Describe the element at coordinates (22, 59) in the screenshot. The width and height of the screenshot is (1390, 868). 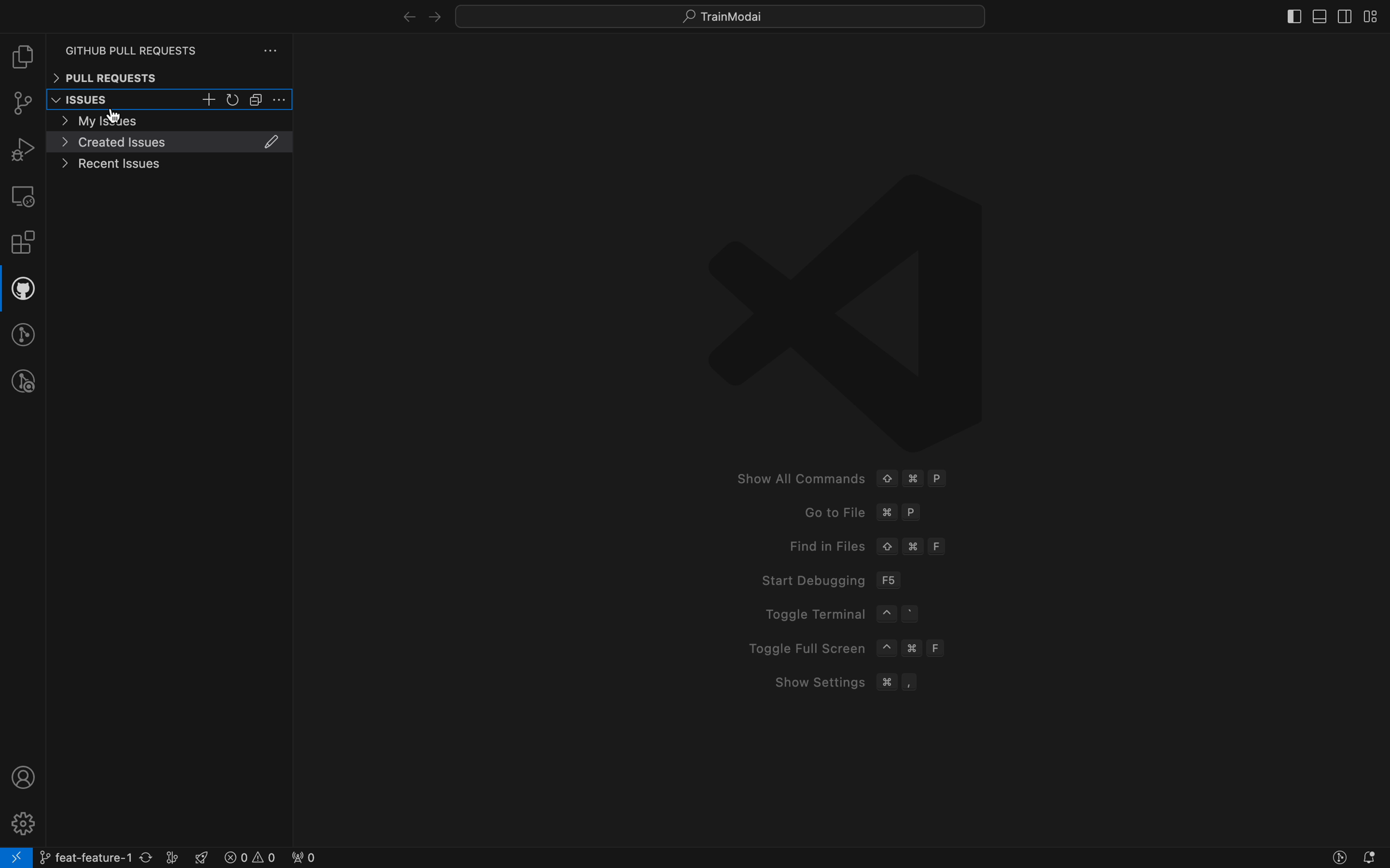
I see `file explorer ` at that location.